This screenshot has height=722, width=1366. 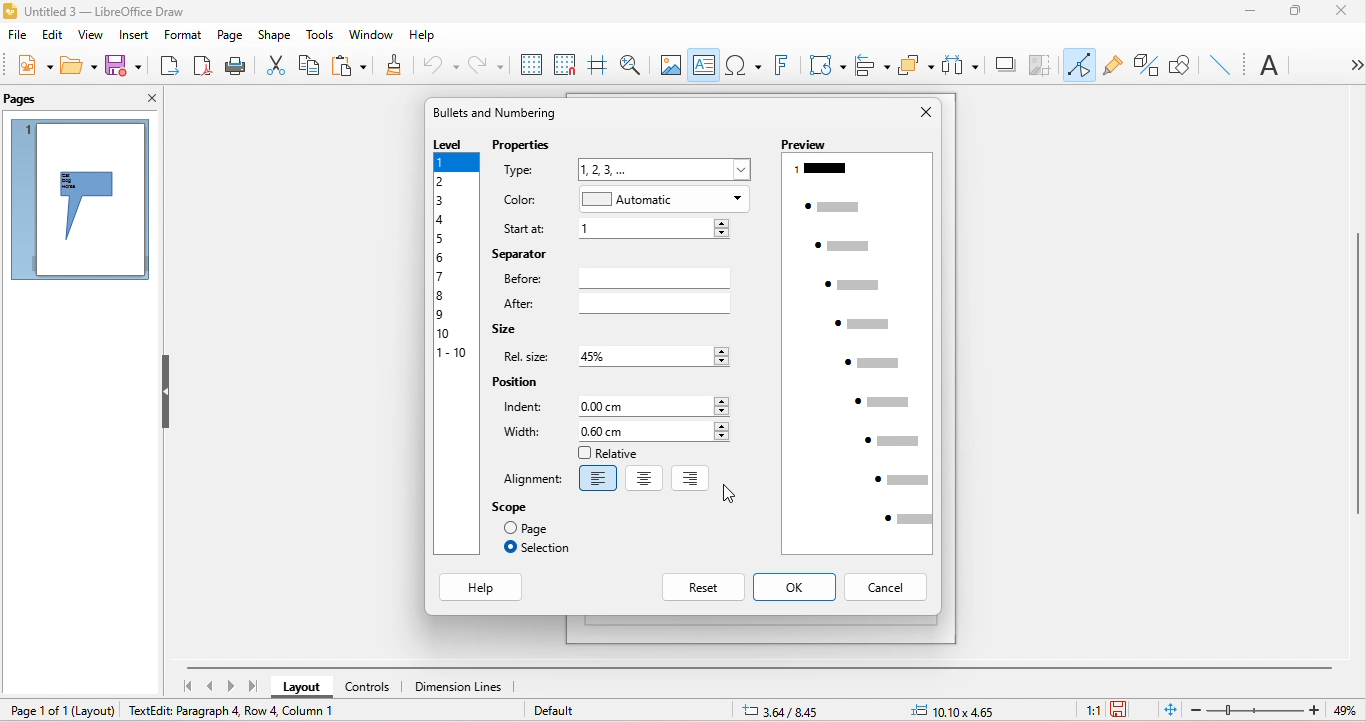 I want to click on 10.10x4.65, so click(x=972, y=710).